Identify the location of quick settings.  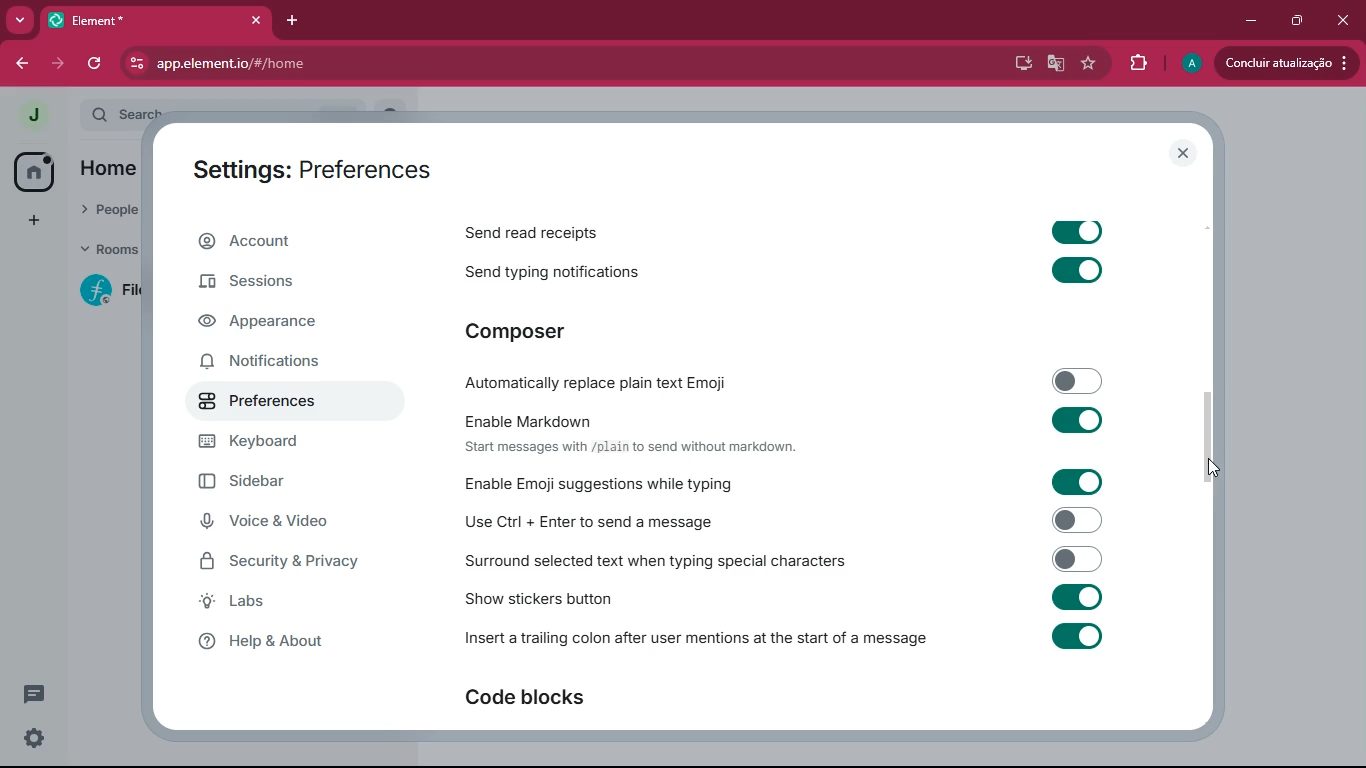
(35, 737).